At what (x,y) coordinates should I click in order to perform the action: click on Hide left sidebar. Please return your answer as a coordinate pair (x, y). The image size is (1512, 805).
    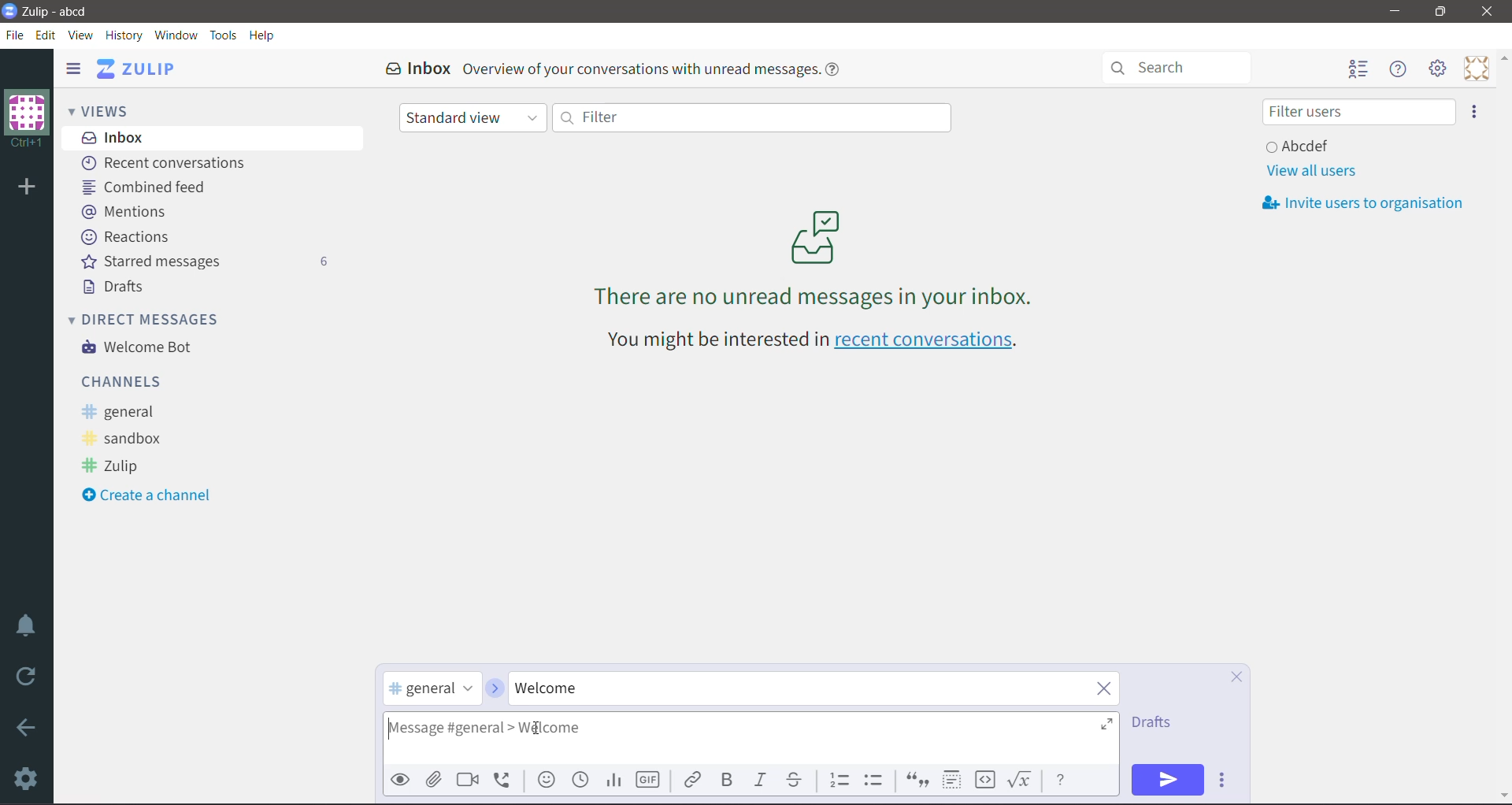
    Looking at the image, I should click on (72, 68).